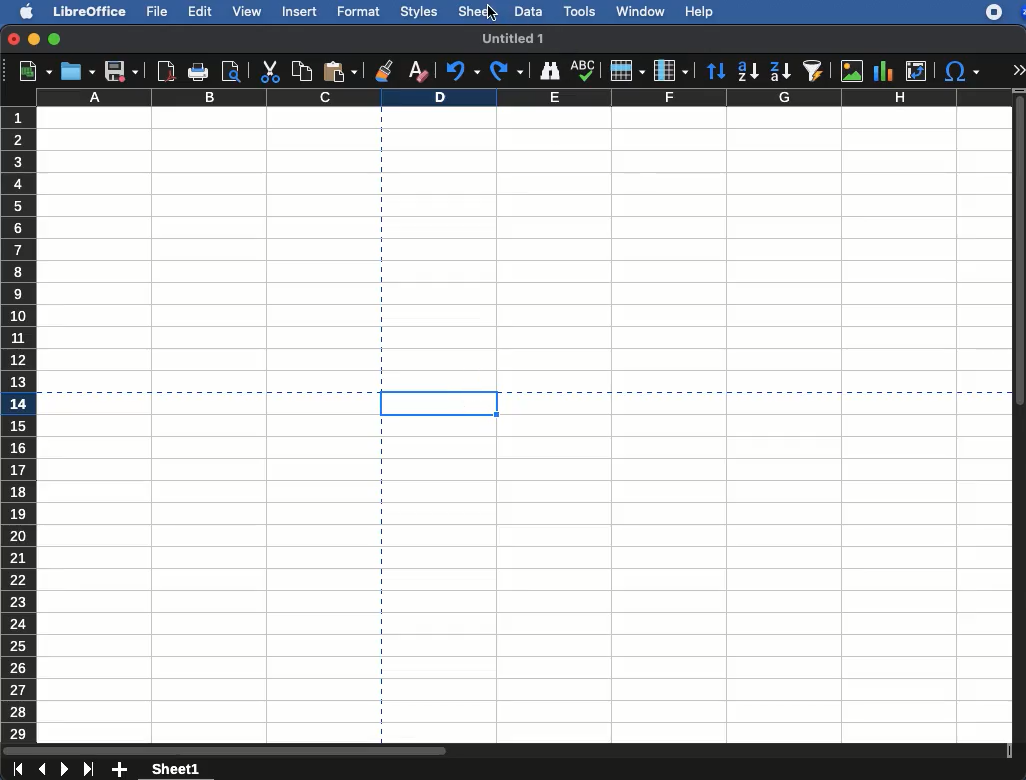  What do you see at coordinates (526, 11) in the screenshot?
I see `data` at bounding box center [526, 11].